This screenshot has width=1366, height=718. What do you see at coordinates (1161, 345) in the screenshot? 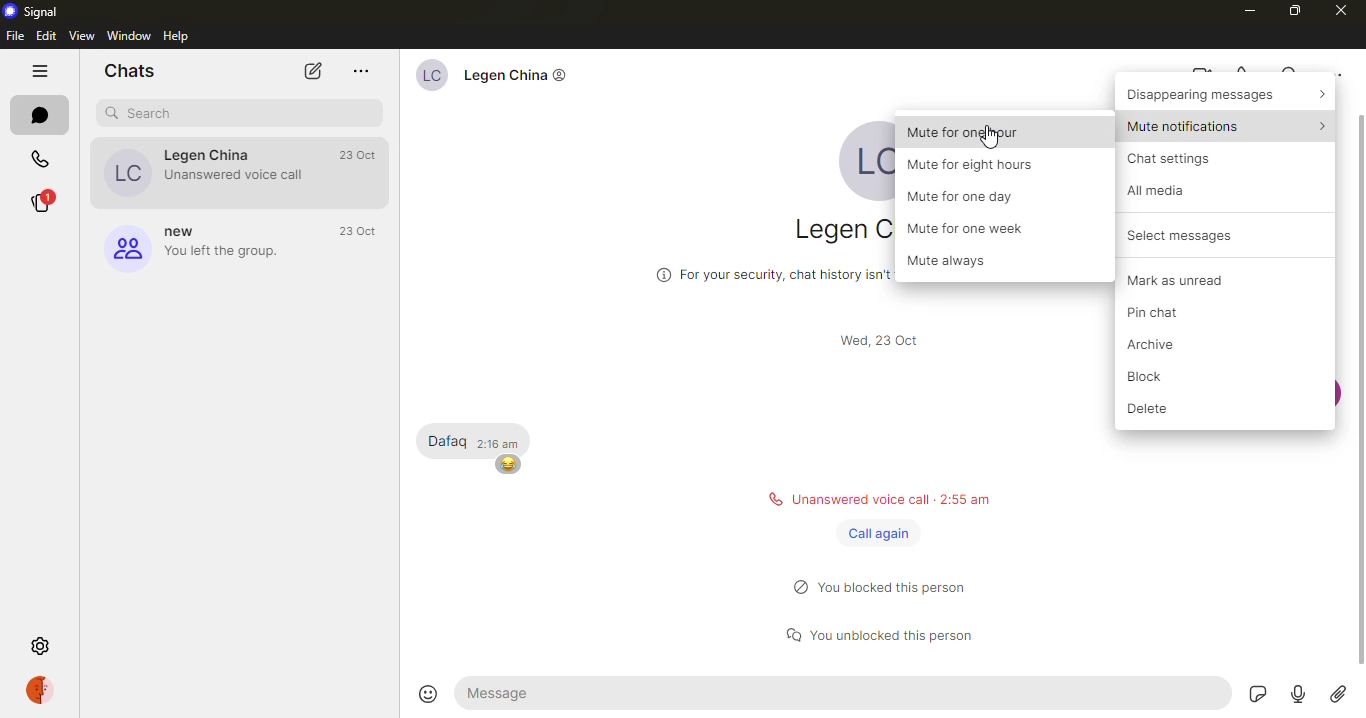
I see `archive` at bounding box center [1161, 345].